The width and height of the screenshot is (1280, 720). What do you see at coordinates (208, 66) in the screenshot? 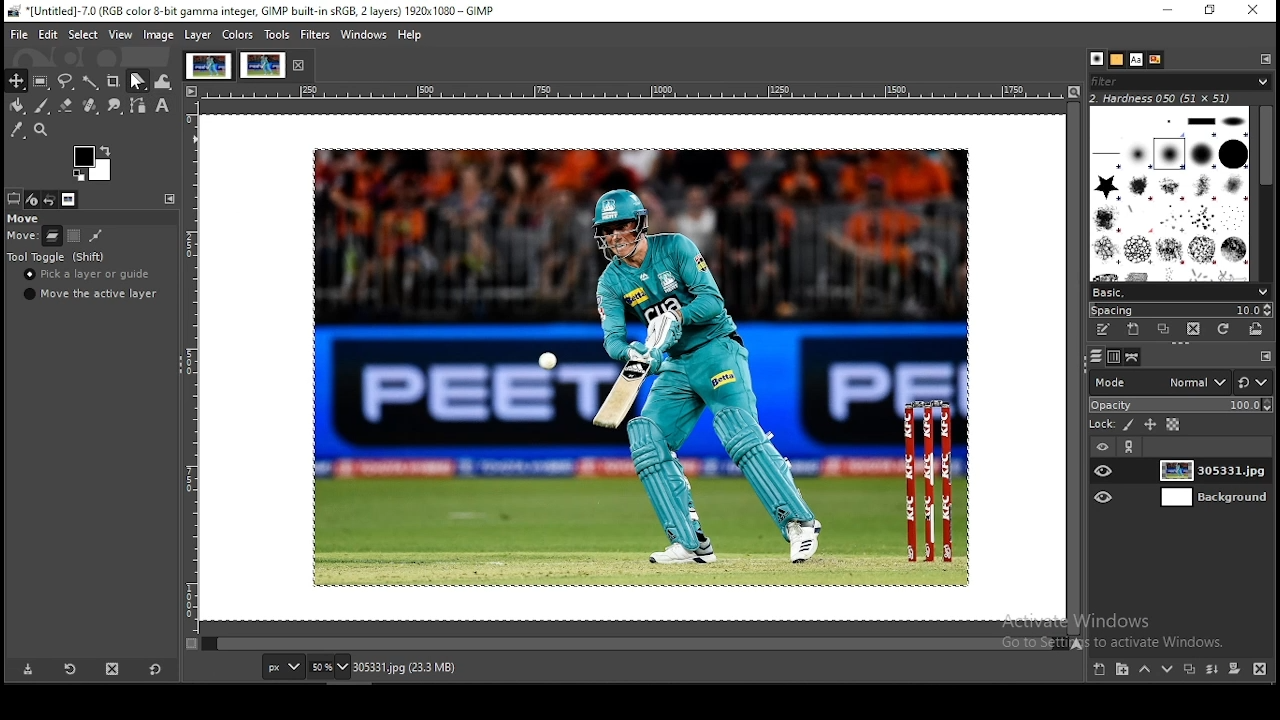
I see `project tab 1` at bounding box center [208, 66].